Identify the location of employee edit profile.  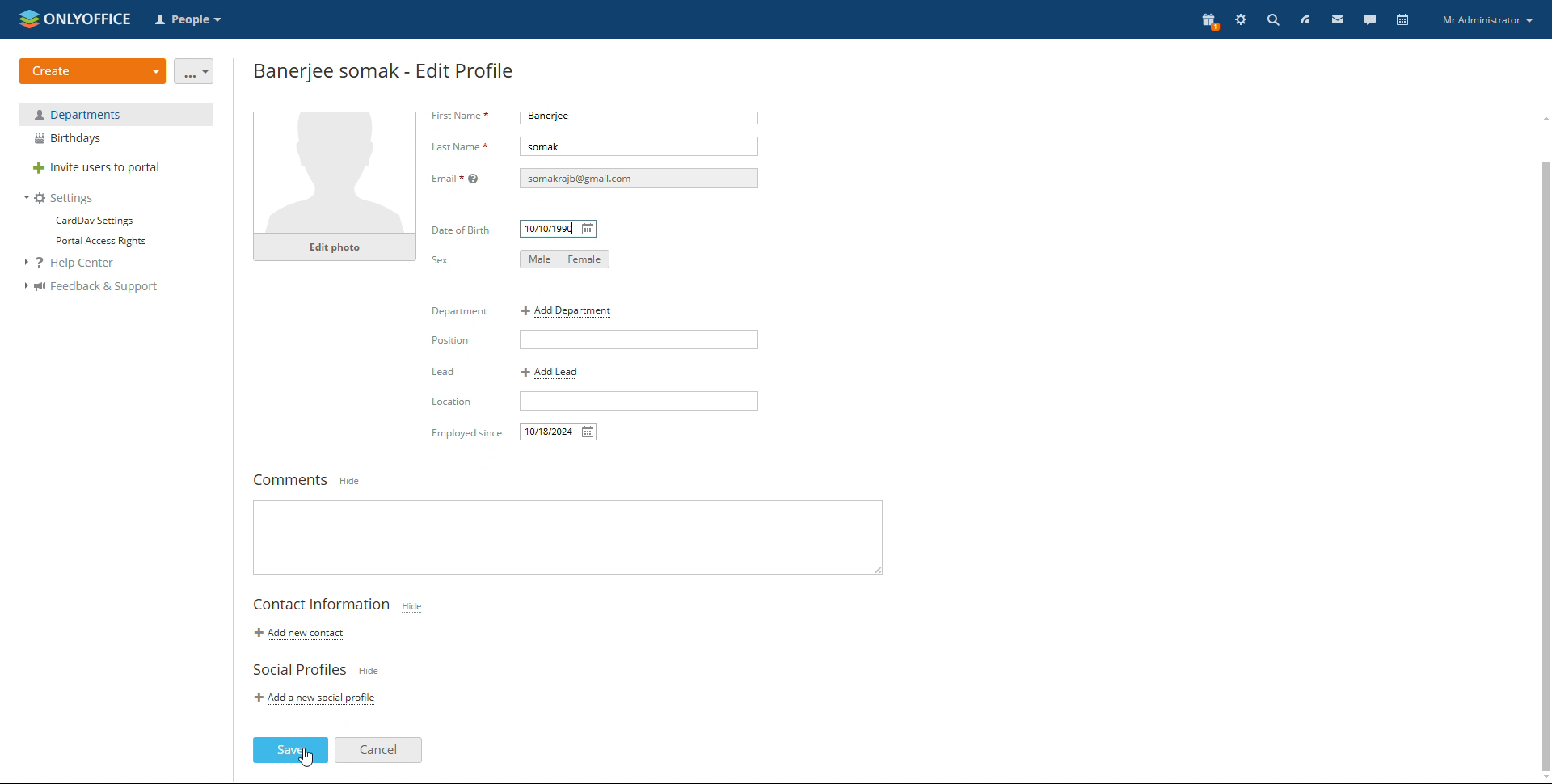
(386, 70).